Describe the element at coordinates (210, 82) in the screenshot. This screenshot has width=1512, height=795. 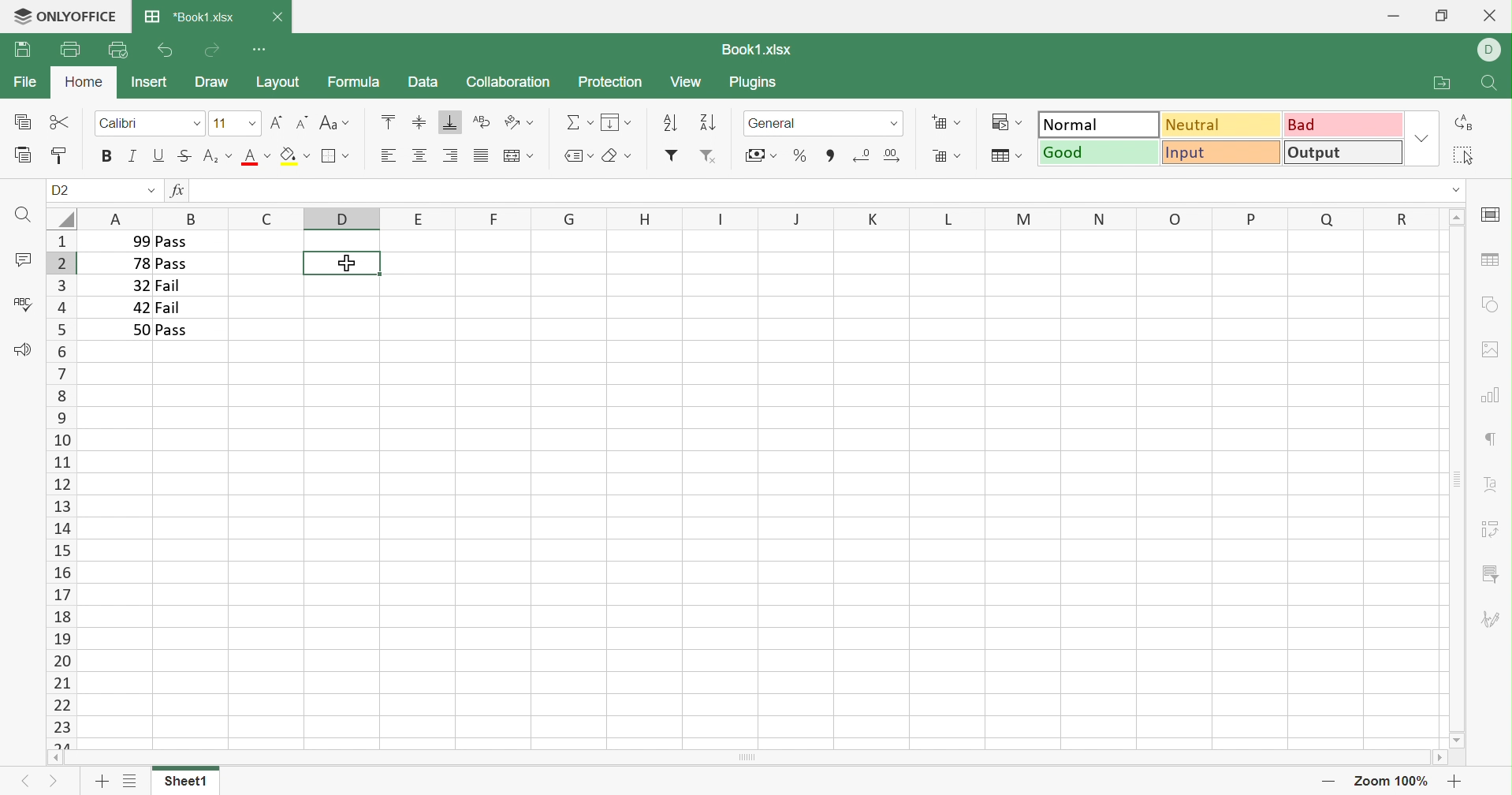
I see `Draw` at that location.